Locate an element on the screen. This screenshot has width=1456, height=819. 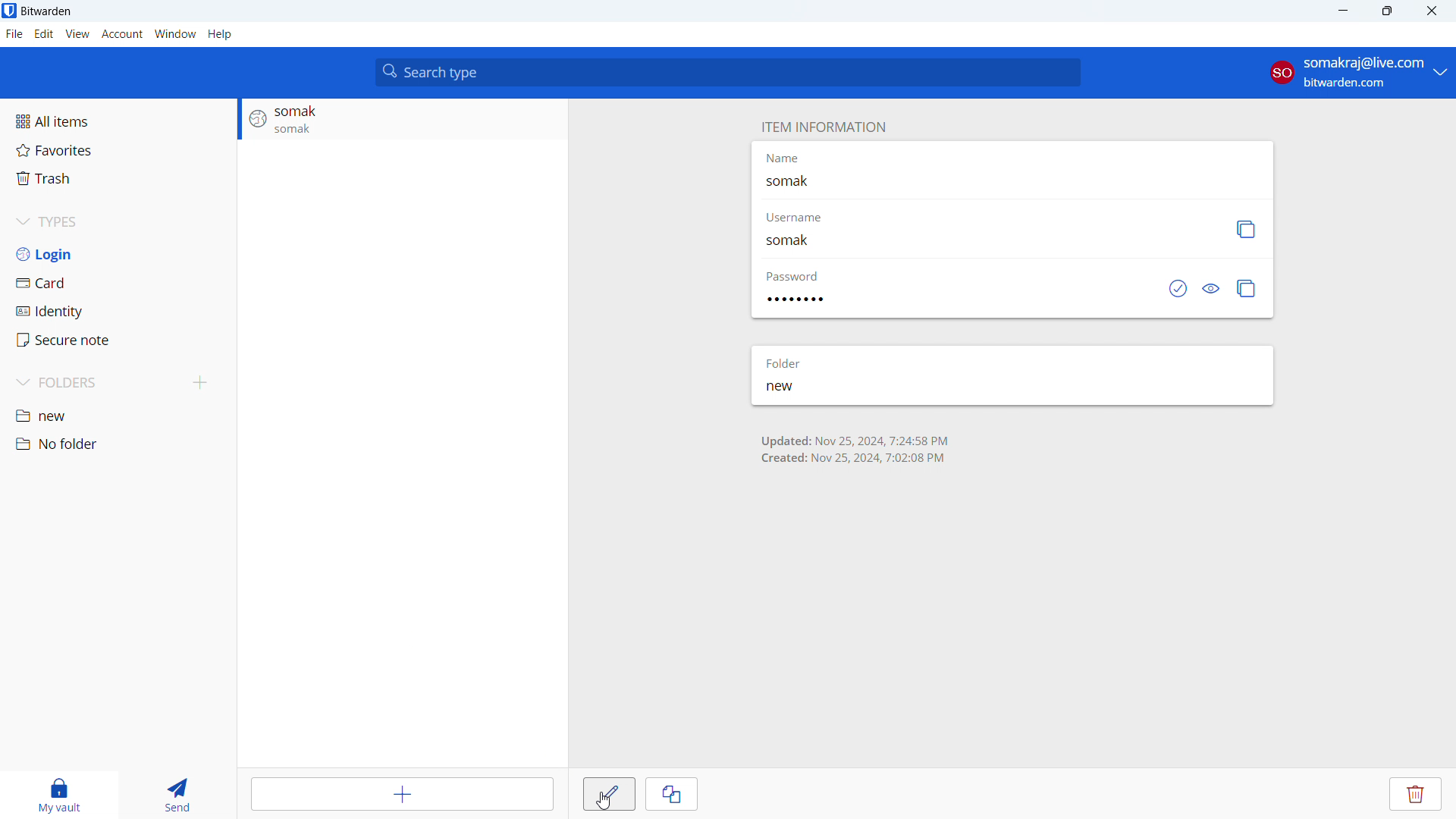
login entry is located at coordinates (402, 120).